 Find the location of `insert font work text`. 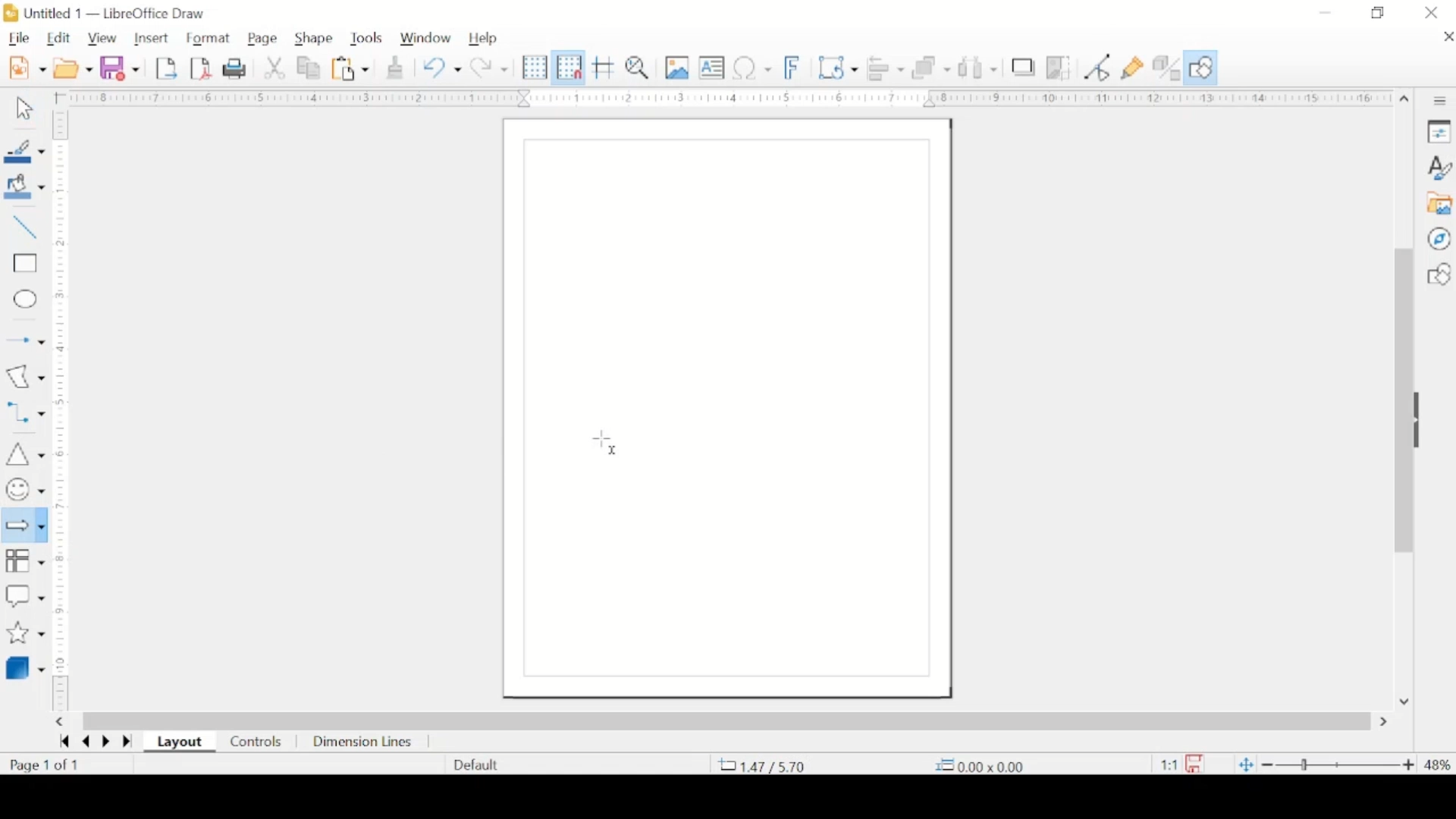

insert font work text is located at coordinates (792, 67).